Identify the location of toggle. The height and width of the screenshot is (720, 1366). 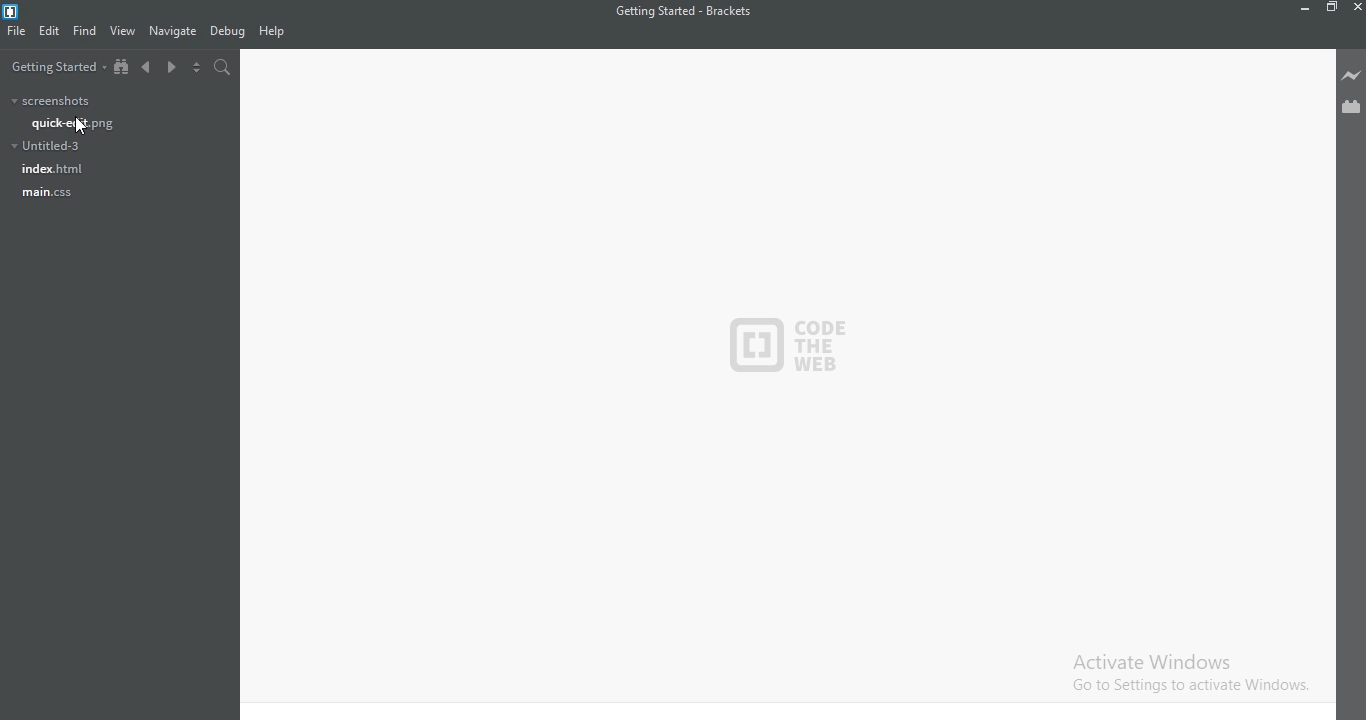
(196, 67).